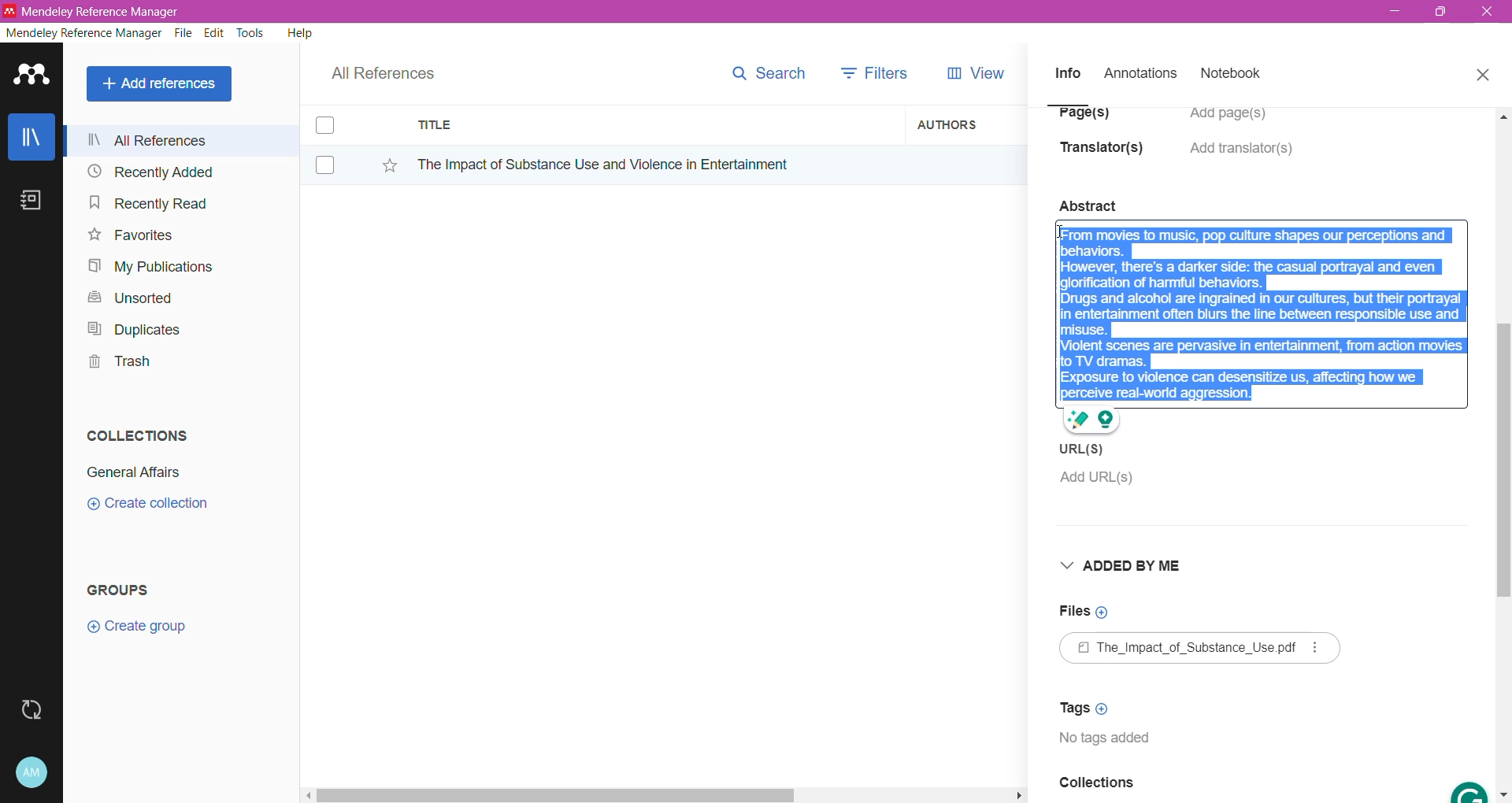 This screenshot has height=803, width=1512. Describe the element at coordinates (966, 124) in the screenshot. I see `Authors` at that location.